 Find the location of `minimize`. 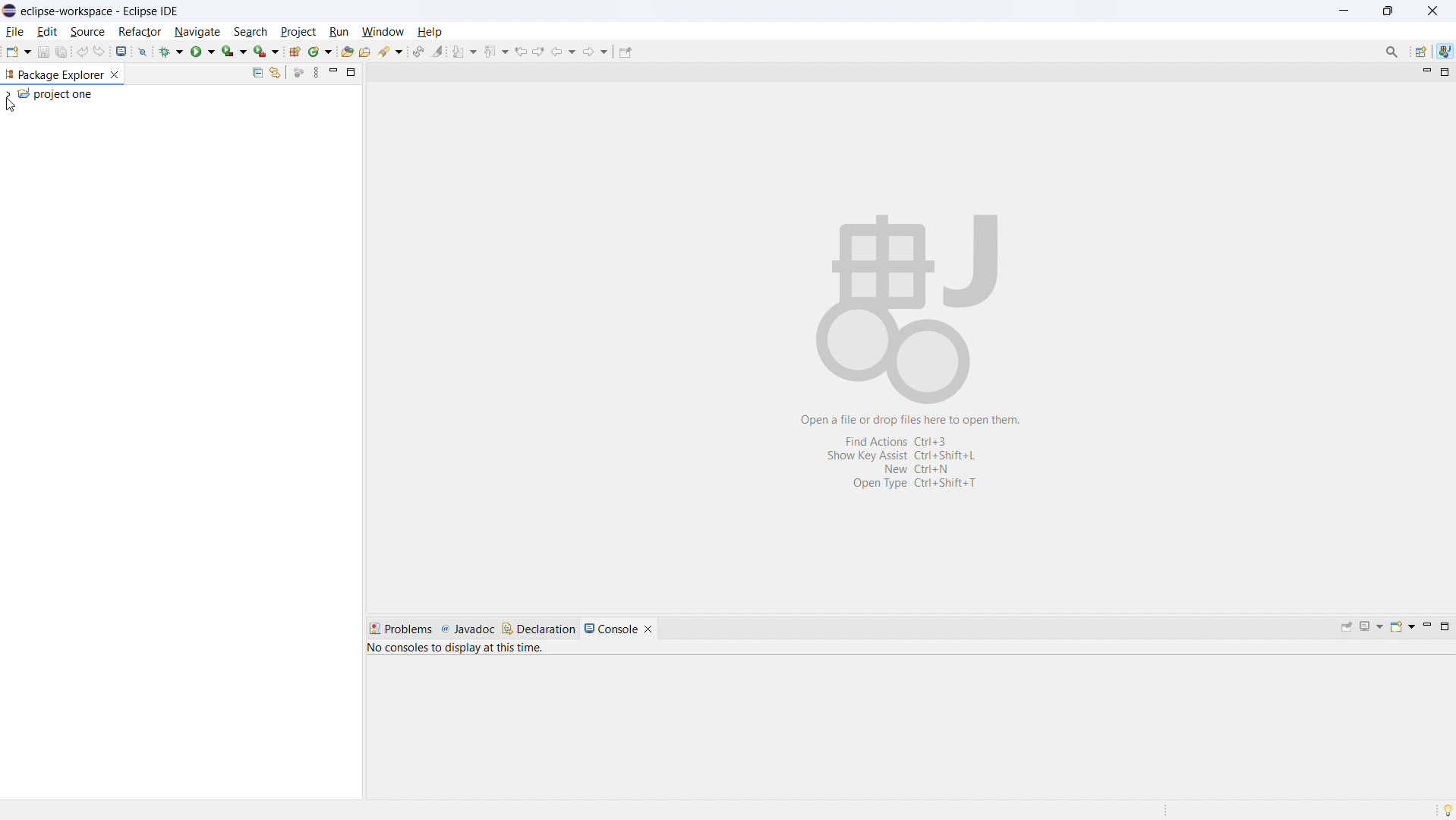

minimize is located at coordinates (333, 72).